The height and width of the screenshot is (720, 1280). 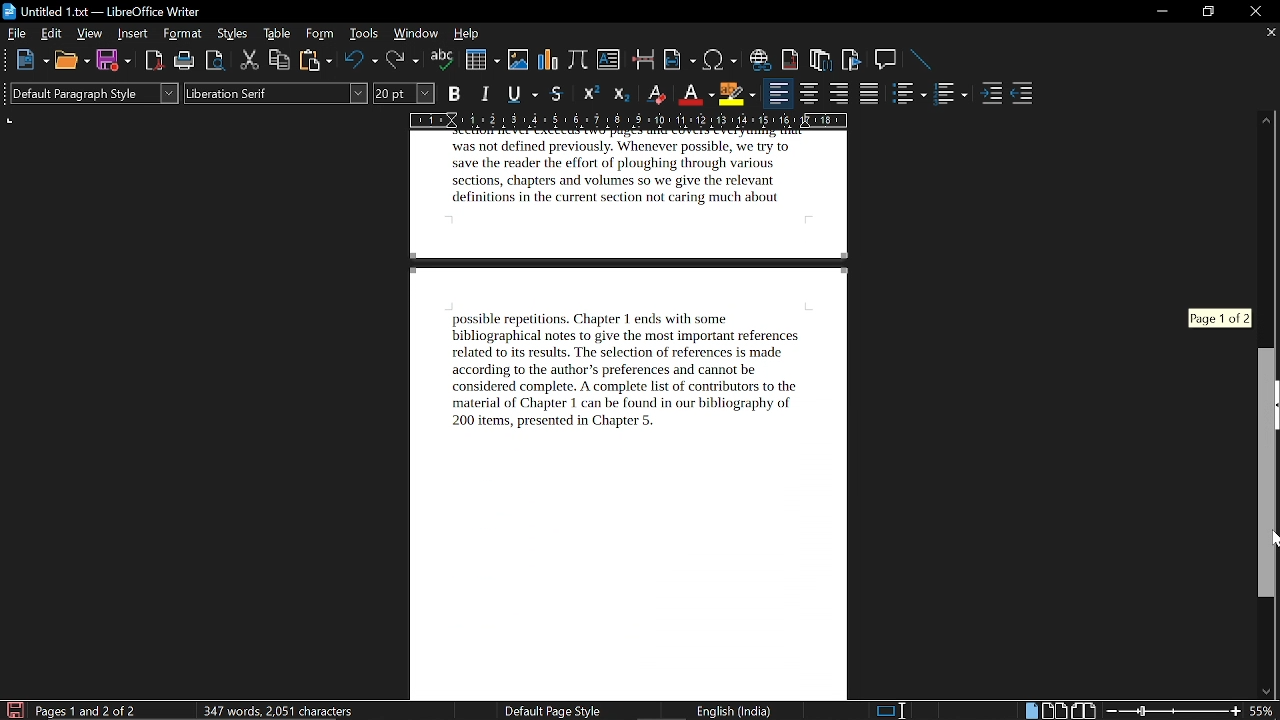 What do you see at coordinates (277, 94) in the screenshot?
I see `font style` at bounding box center [277, 94].